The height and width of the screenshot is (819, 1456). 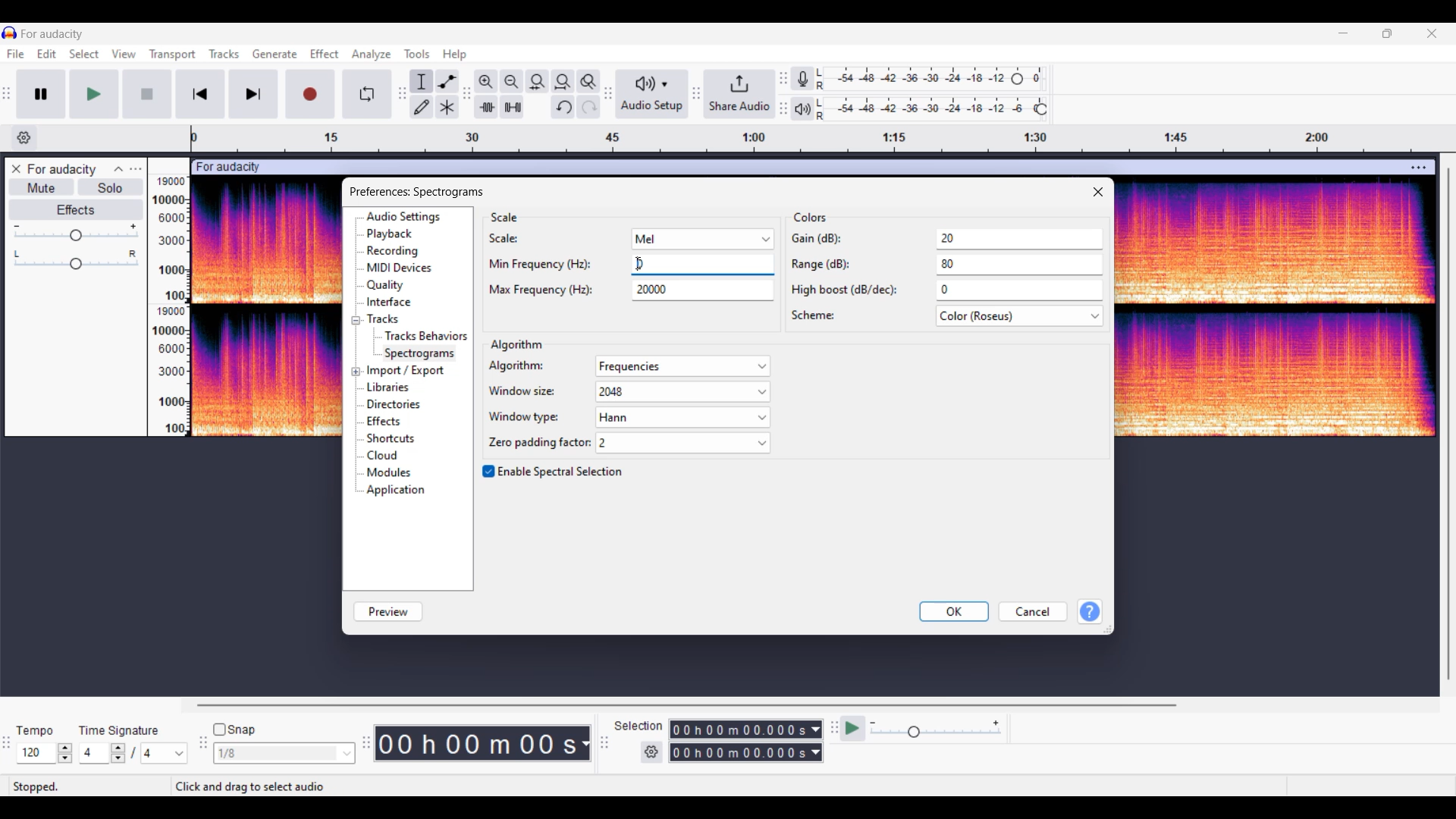 What do you see at coordinates (45, 753) in the screenshot?
I see `Tempo settings` at bounding box center [45, 753].